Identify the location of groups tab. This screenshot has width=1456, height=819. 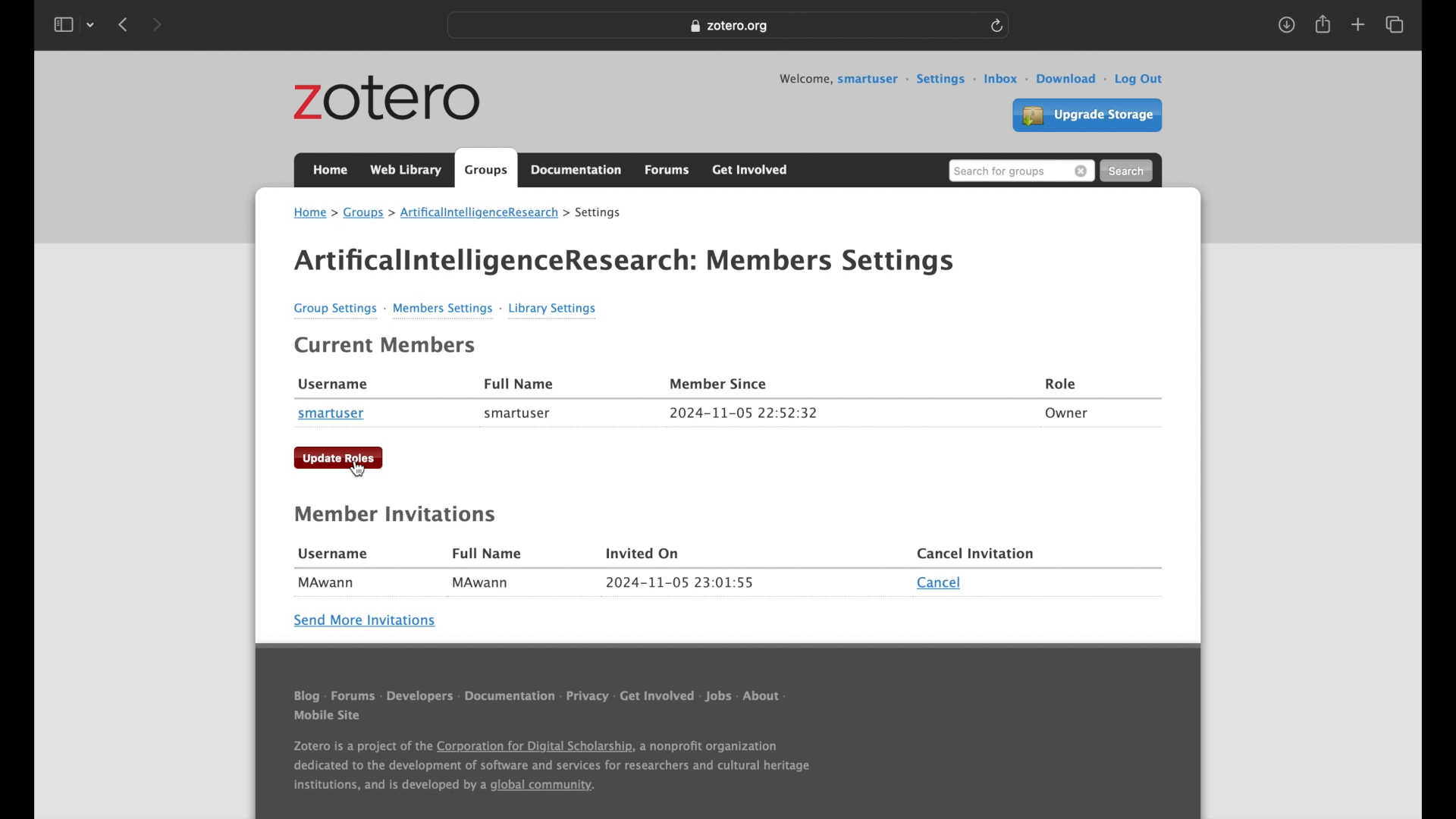
(486, 168).